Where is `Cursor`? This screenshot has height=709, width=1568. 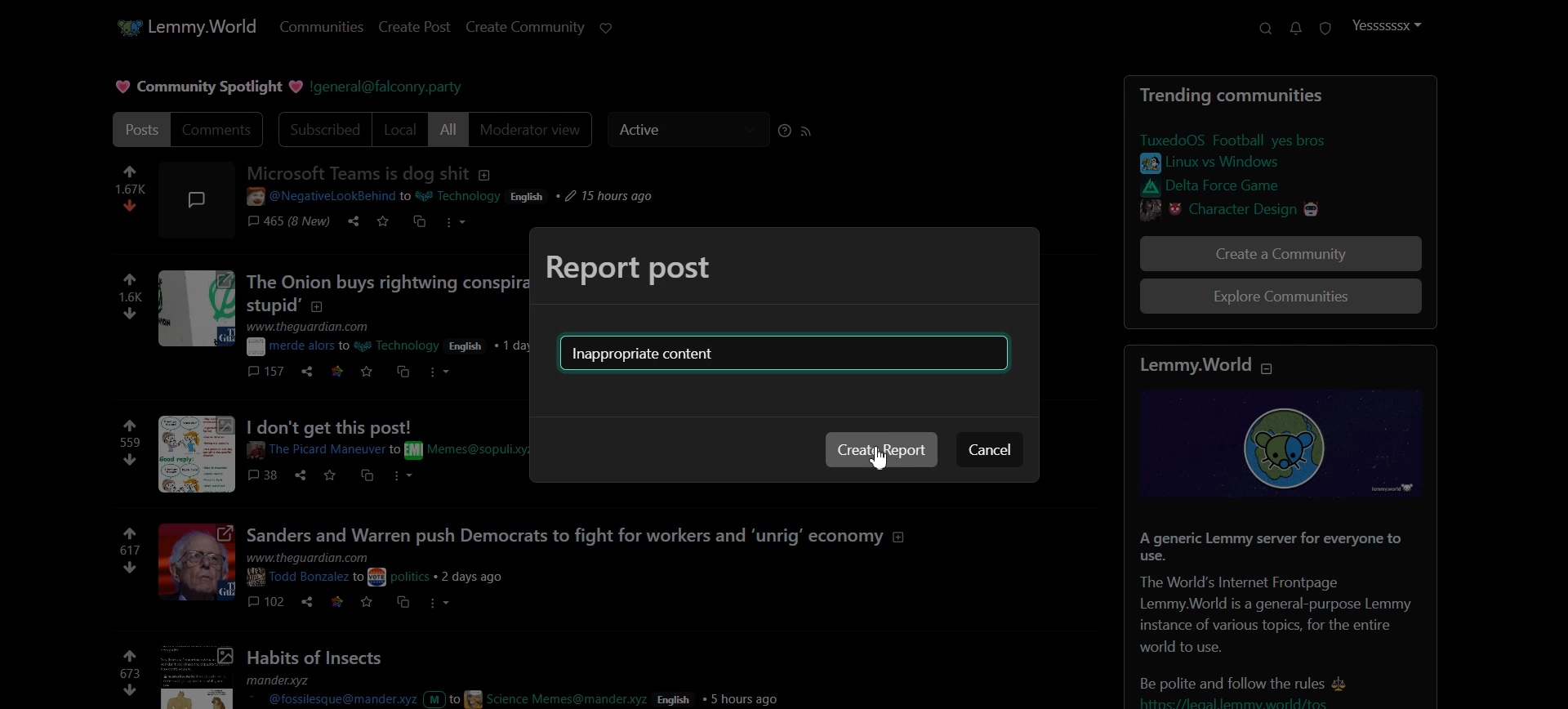
Cursor is located at coordinates (883, 458).